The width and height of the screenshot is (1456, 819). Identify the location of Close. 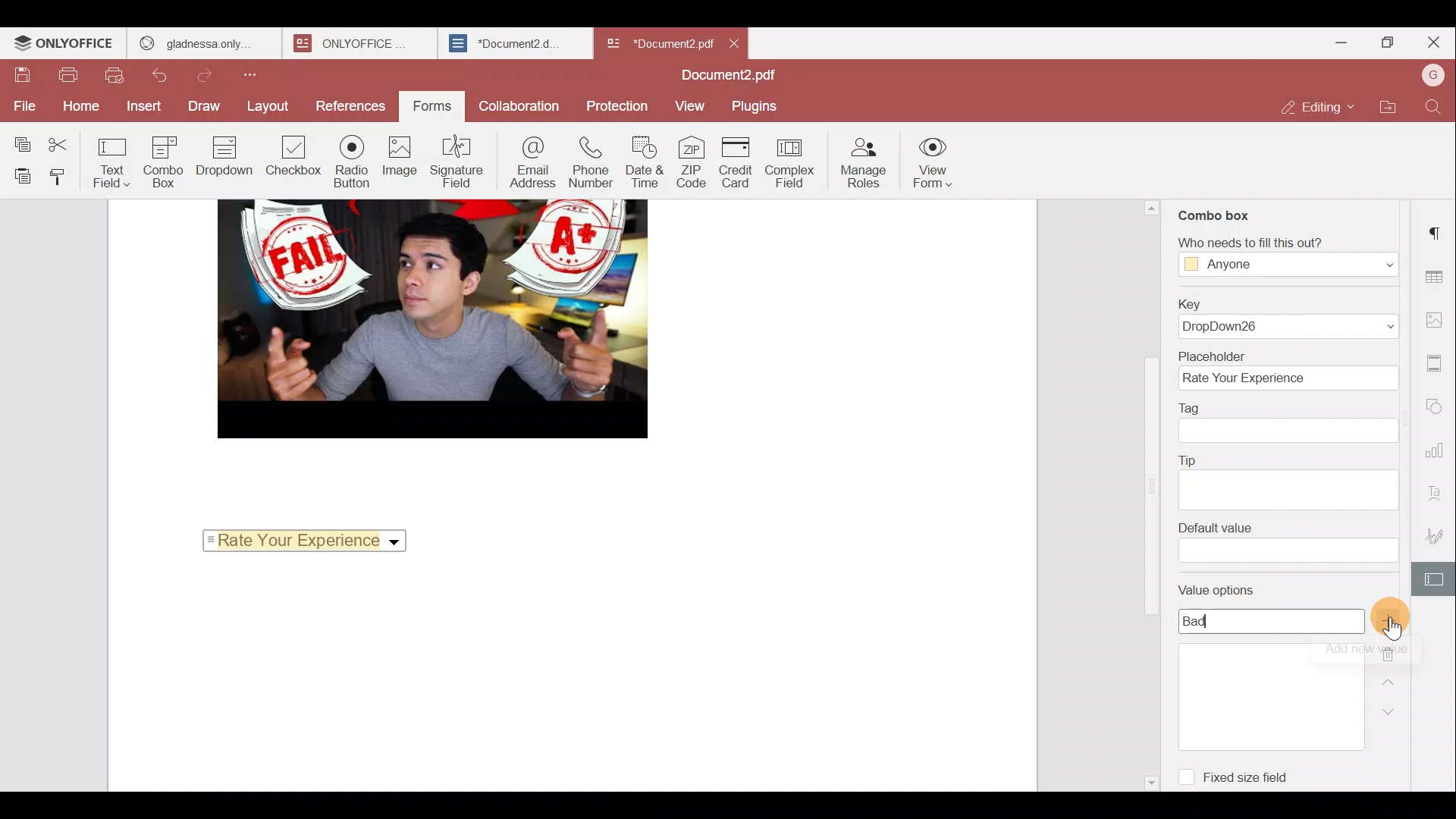
(736, 41).